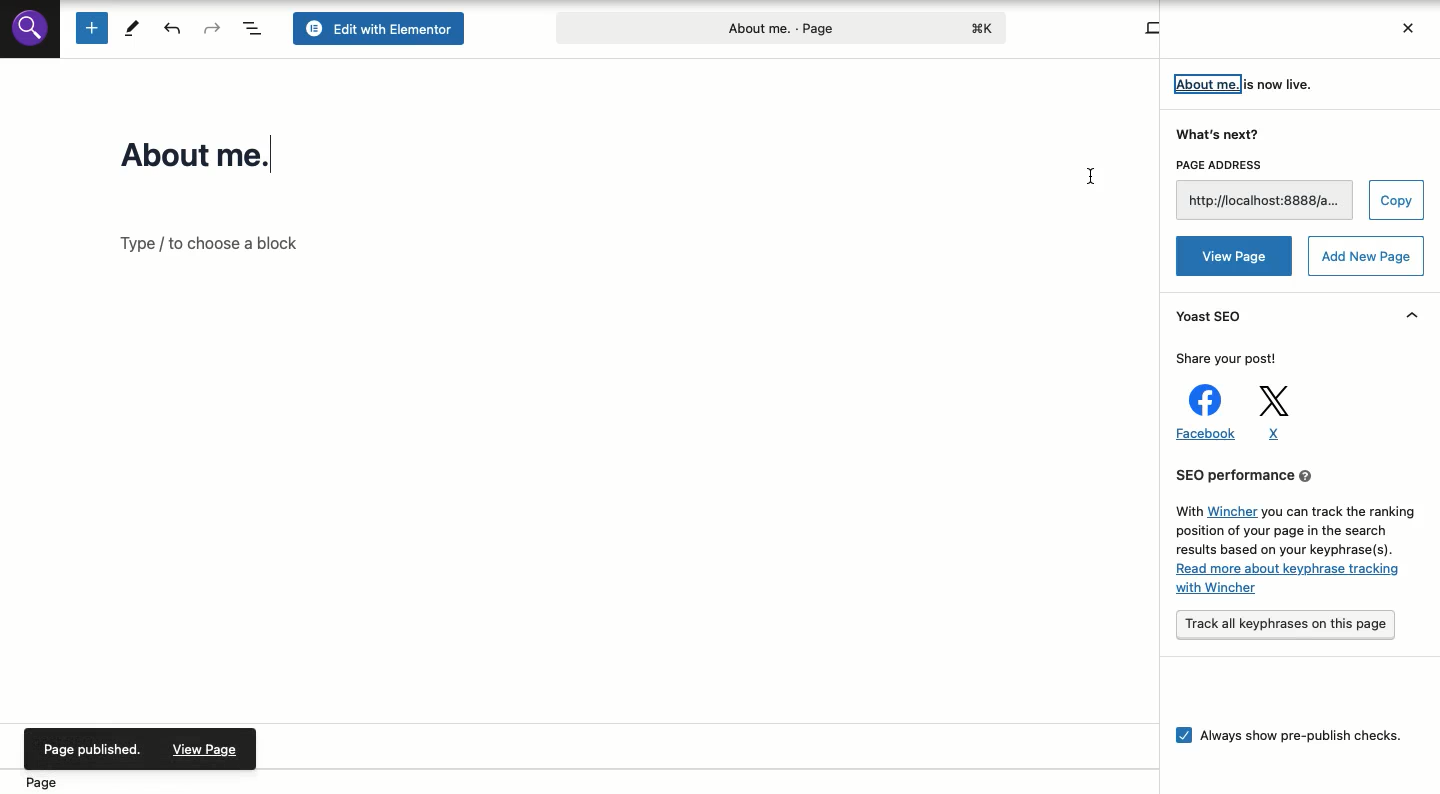 The image size is (1440, 794). I want to click on Search, so click(30, 27).